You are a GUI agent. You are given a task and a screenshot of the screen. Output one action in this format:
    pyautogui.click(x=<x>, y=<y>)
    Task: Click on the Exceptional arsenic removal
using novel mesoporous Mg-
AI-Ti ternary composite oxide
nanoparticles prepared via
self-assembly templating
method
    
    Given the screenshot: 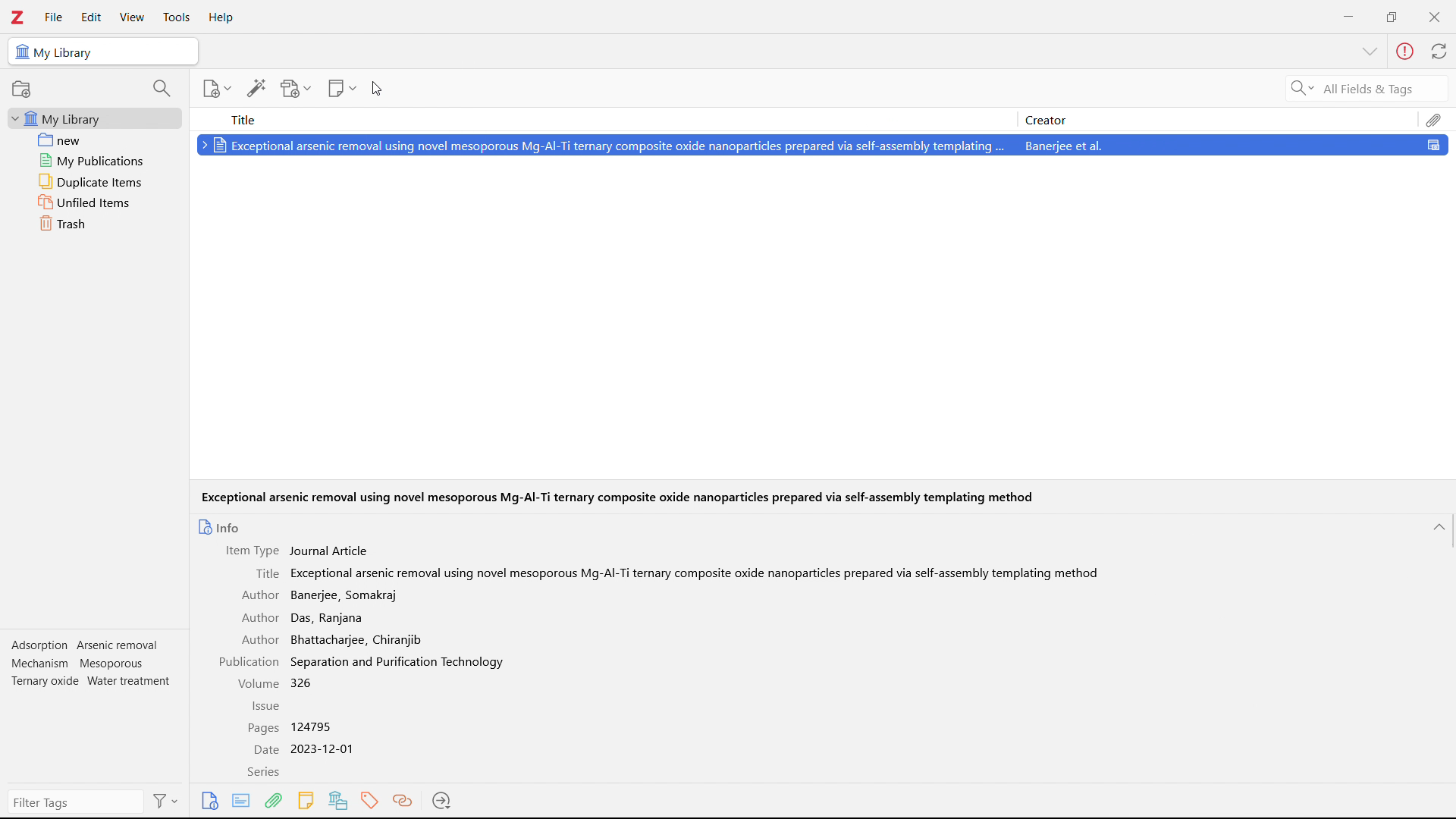 What is the action you would take?
    pyautogui.click(x=696, y=573)
    